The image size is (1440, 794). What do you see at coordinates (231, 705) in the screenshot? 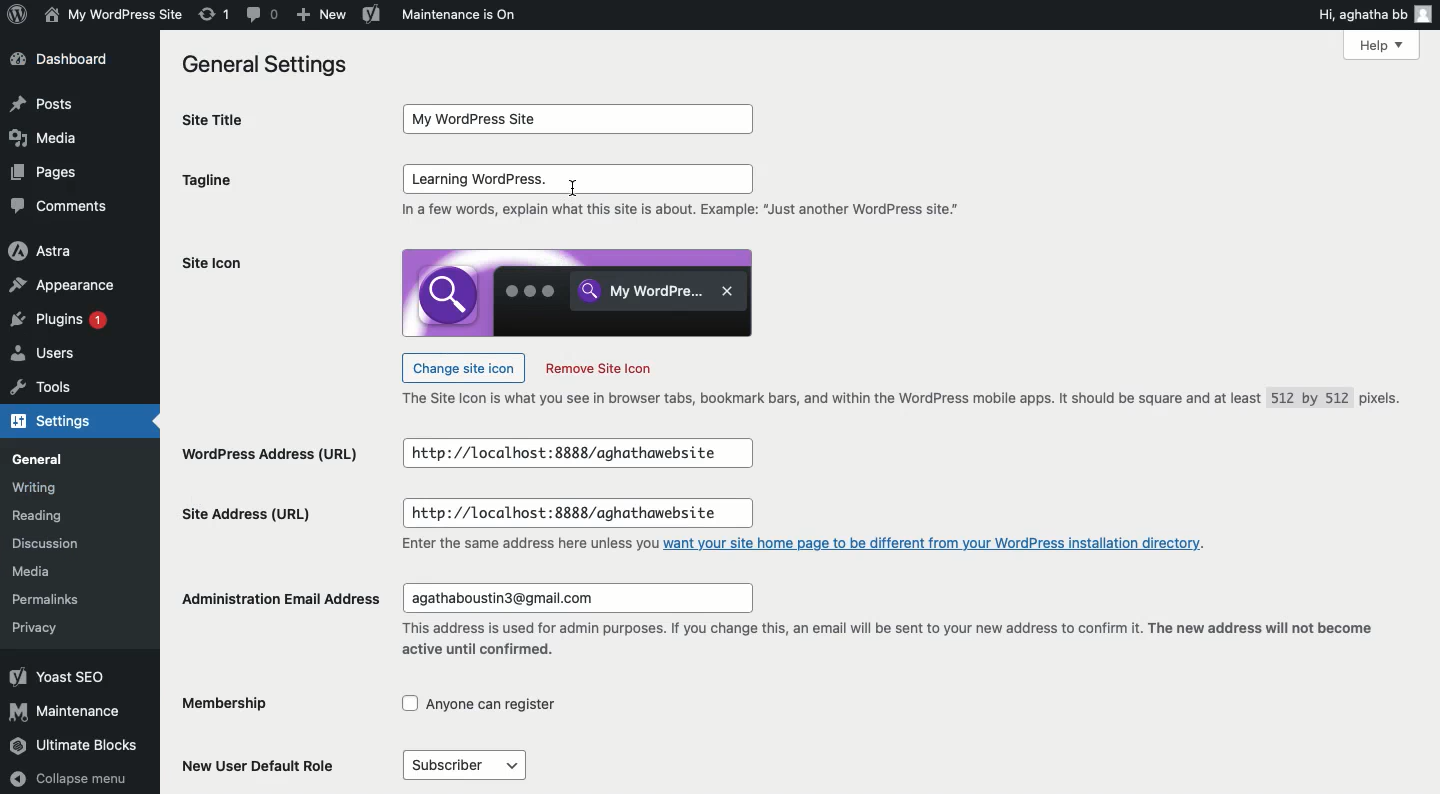
I see `Membership` at bounding box center [231, 705].